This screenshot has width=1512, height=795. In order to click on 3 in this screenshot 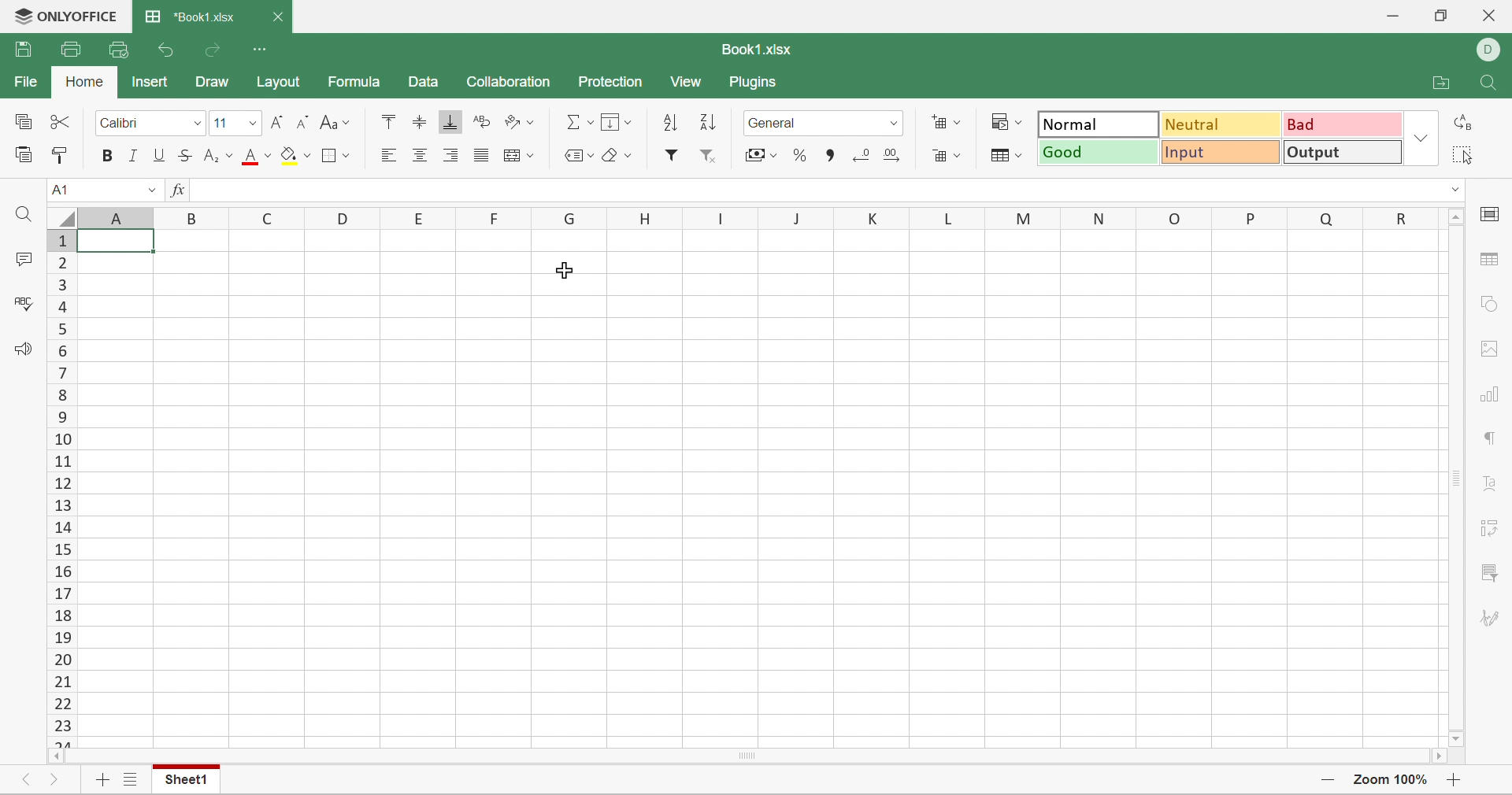, I will do `click(62, 284)`.